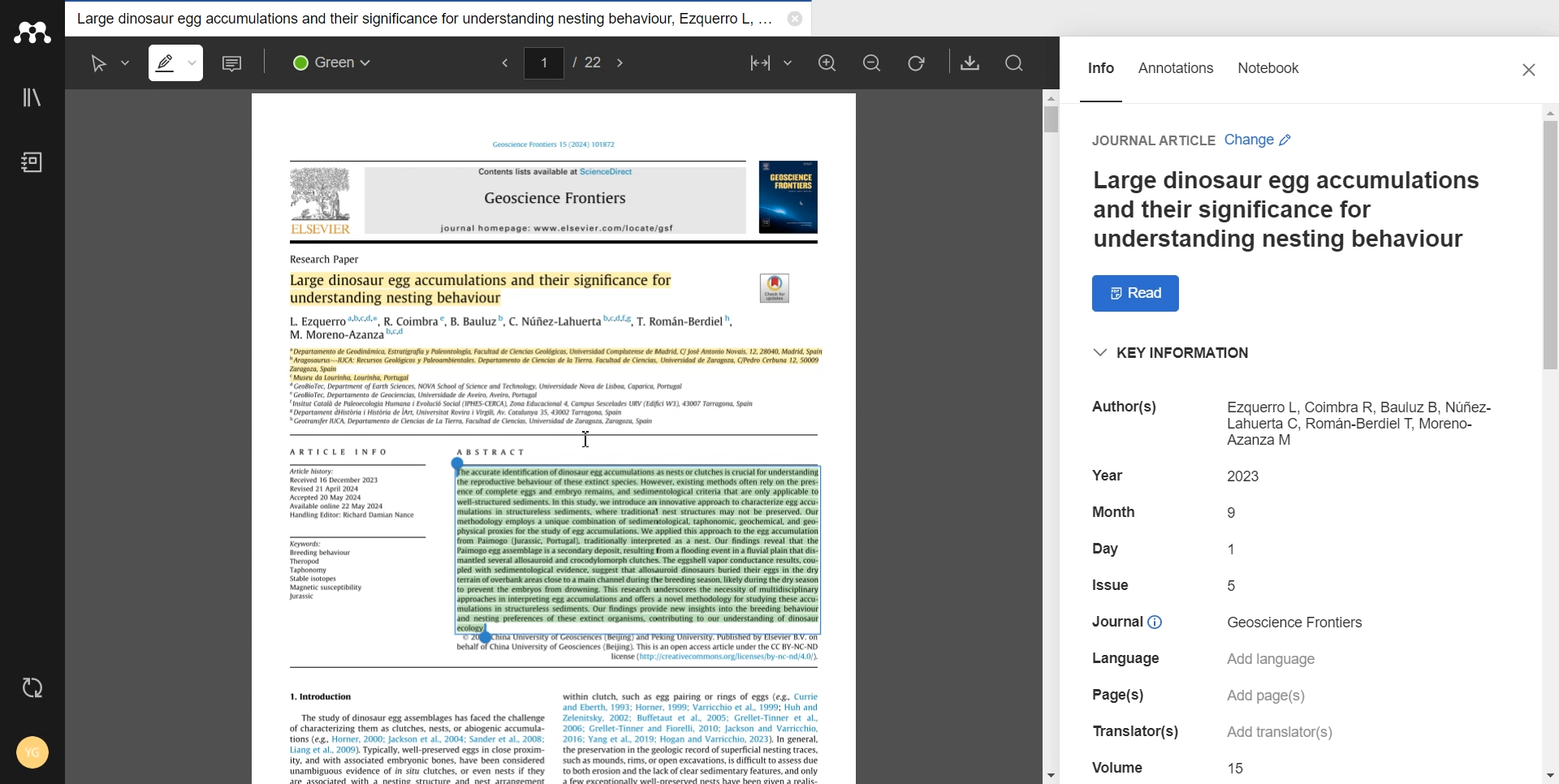 Image resolution: width=1559 pixels, height=784 pixels. Describe the element at coordinates (1299, 622) in the screenshot. I see `text` at that location.